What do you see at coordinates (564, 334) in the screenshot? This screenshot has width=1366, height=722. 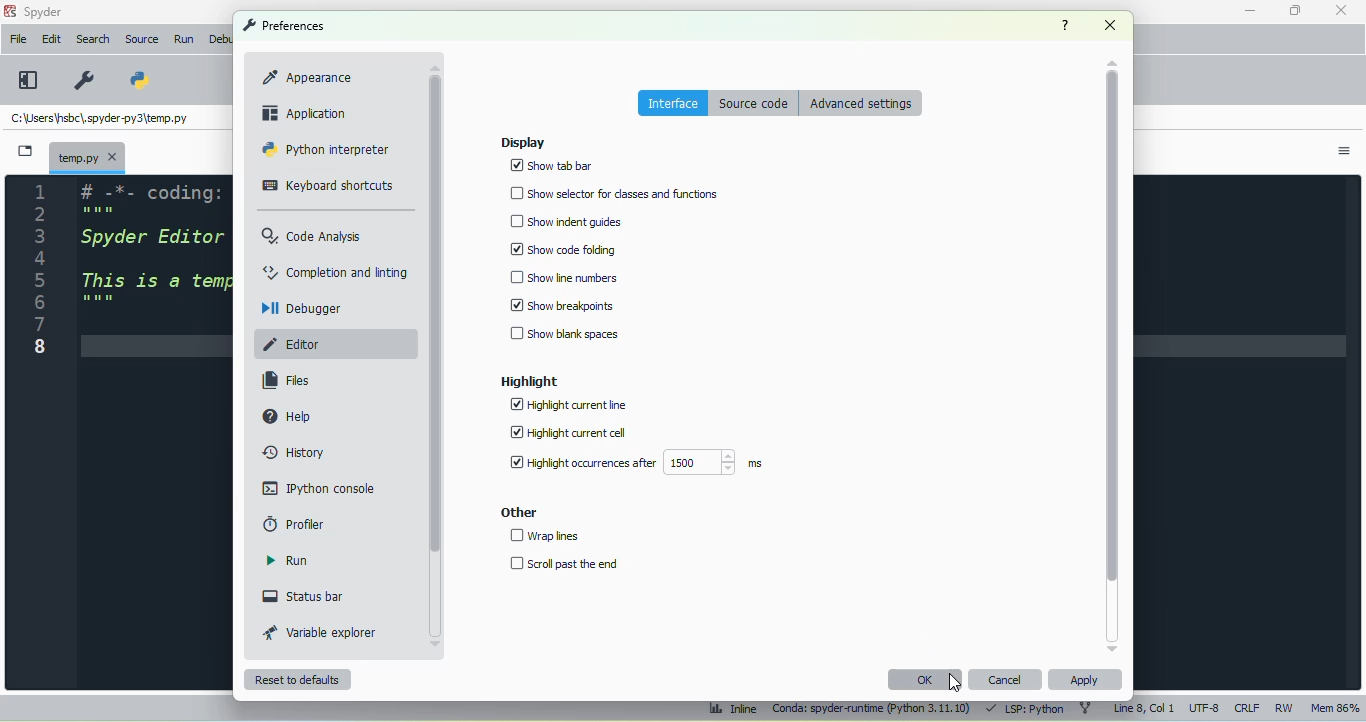 I see `show blank spaces` at bounding box center [564, 334].